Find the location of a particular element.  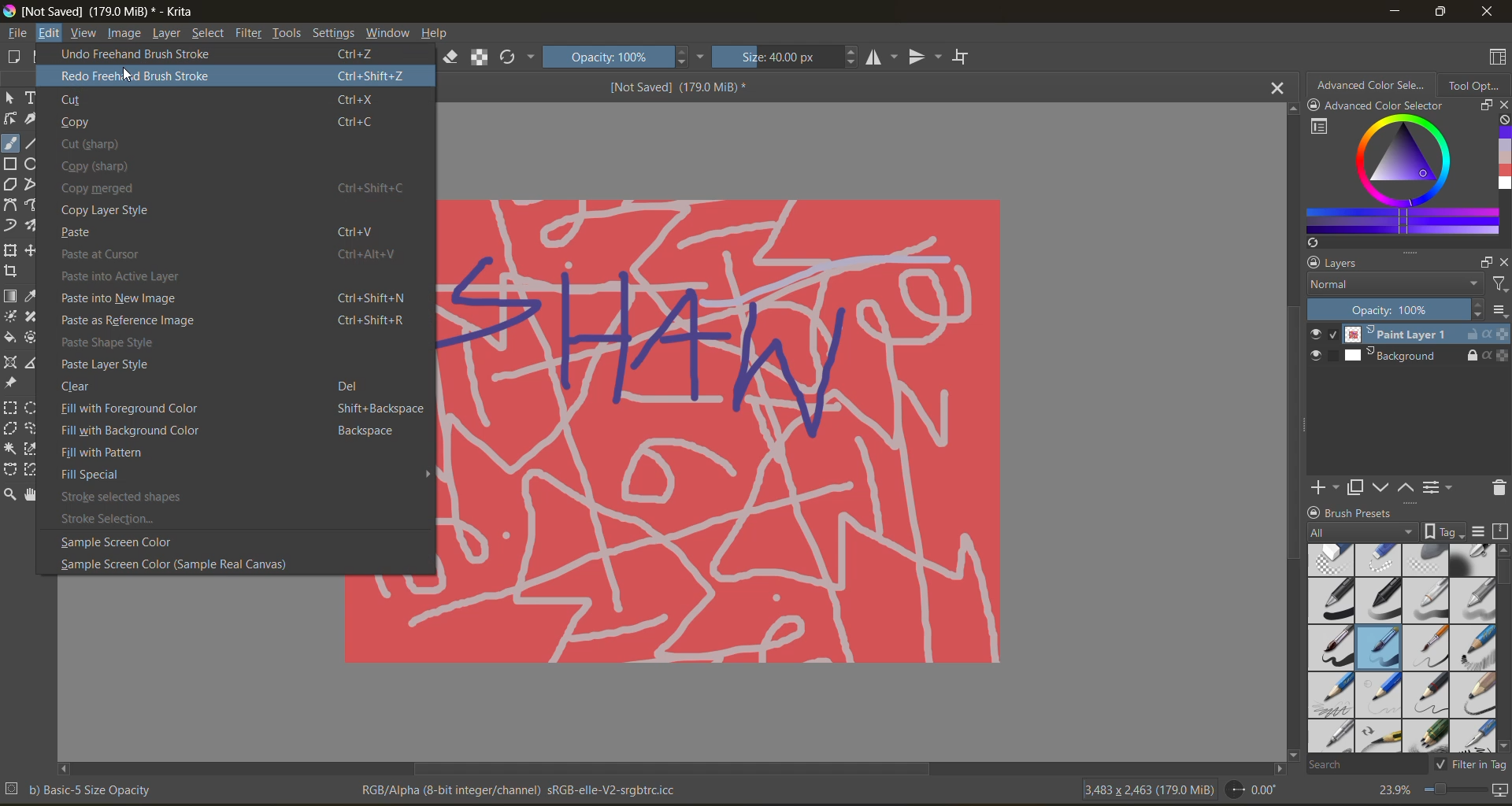

help is located at coordinates (437, 33).